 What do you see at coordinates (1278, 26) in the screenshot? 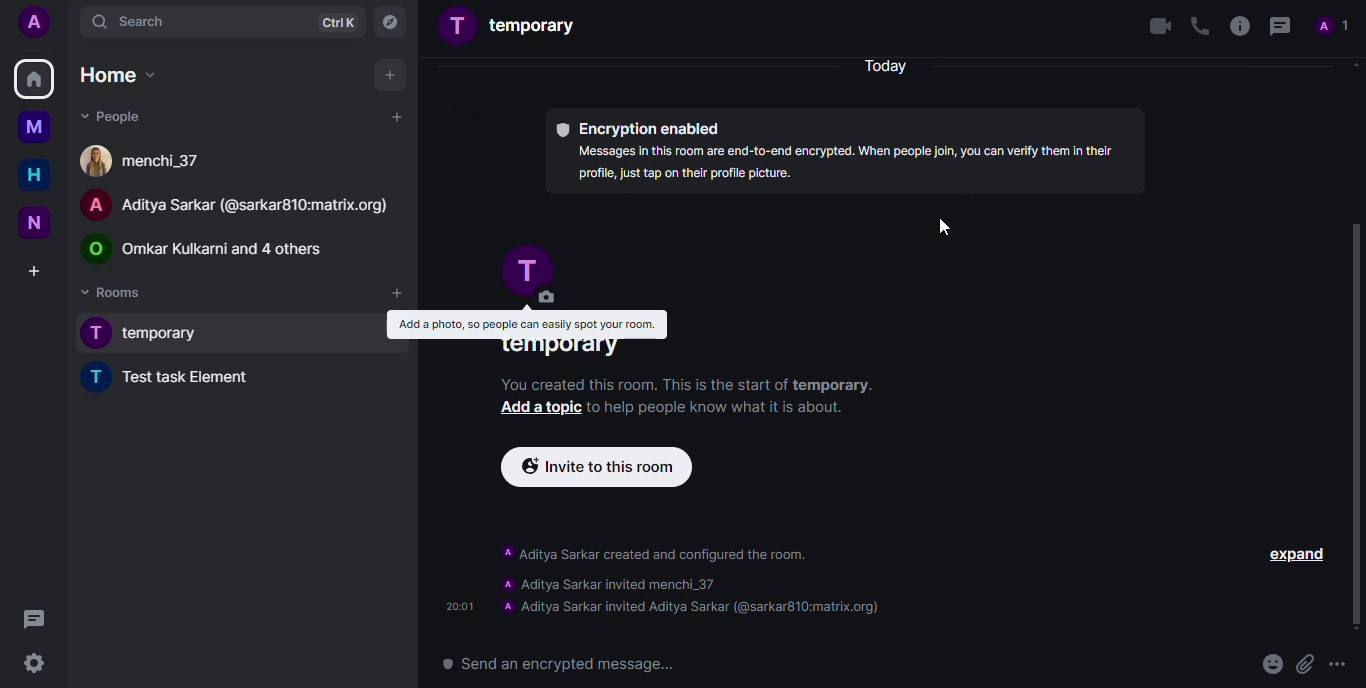
I see `threads` at bounding box center [1278, 26].